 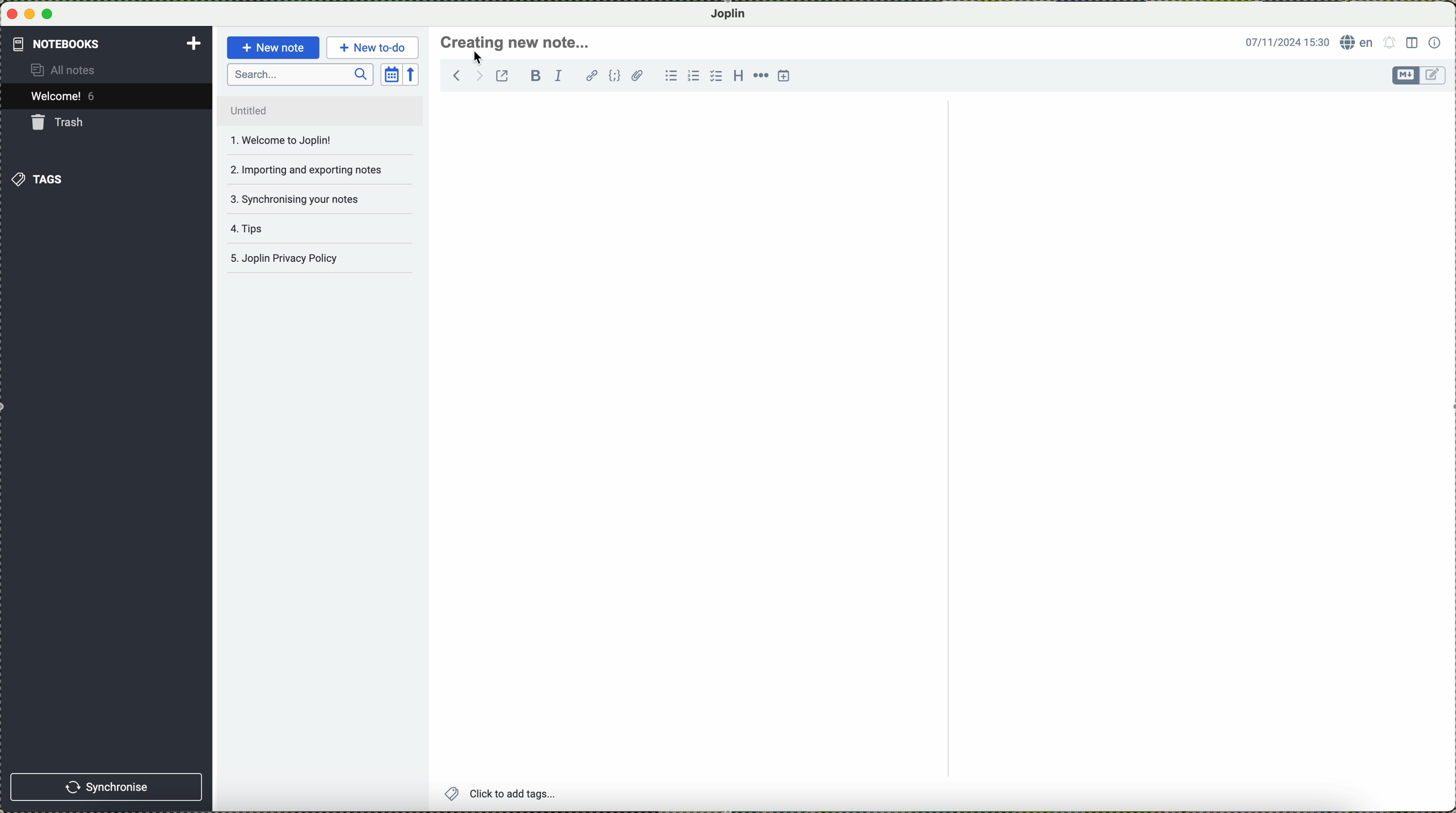 I want to click on italic, so click(x=562, y=77).